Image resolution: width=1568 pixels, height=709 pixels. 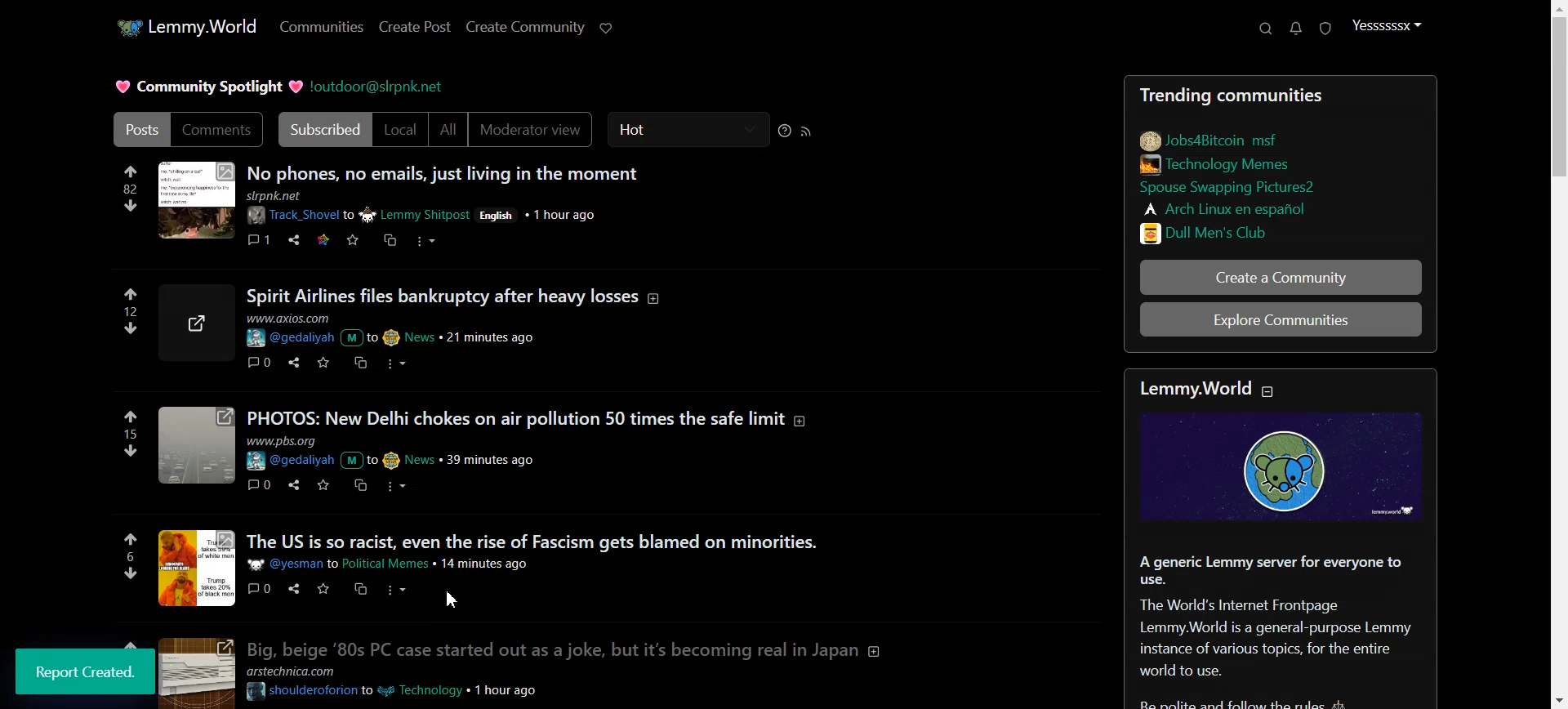 I want to click on comments, so click(x=259, y=238).